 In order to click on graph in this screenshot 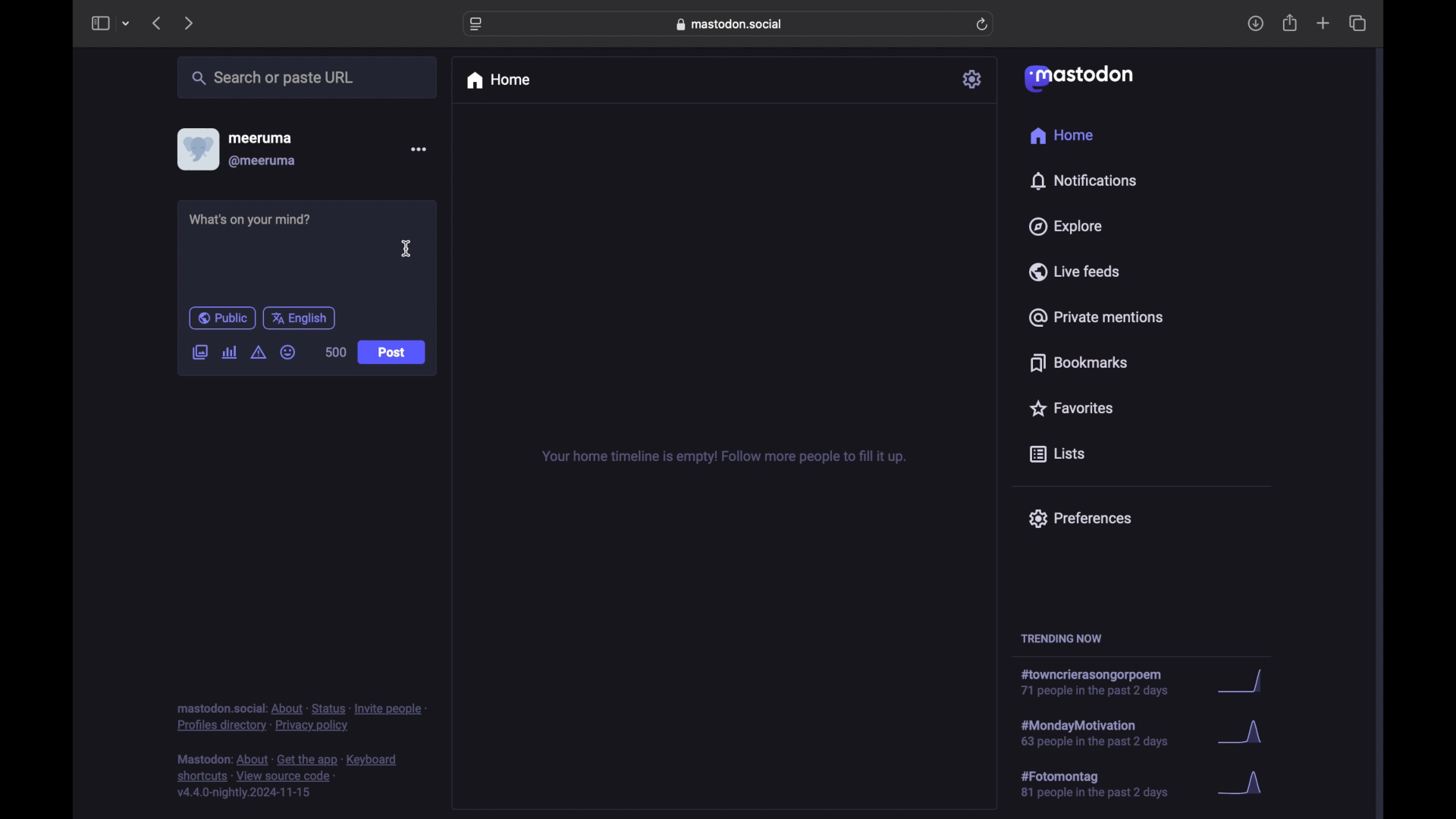, I will do `click(1246, 682)`.